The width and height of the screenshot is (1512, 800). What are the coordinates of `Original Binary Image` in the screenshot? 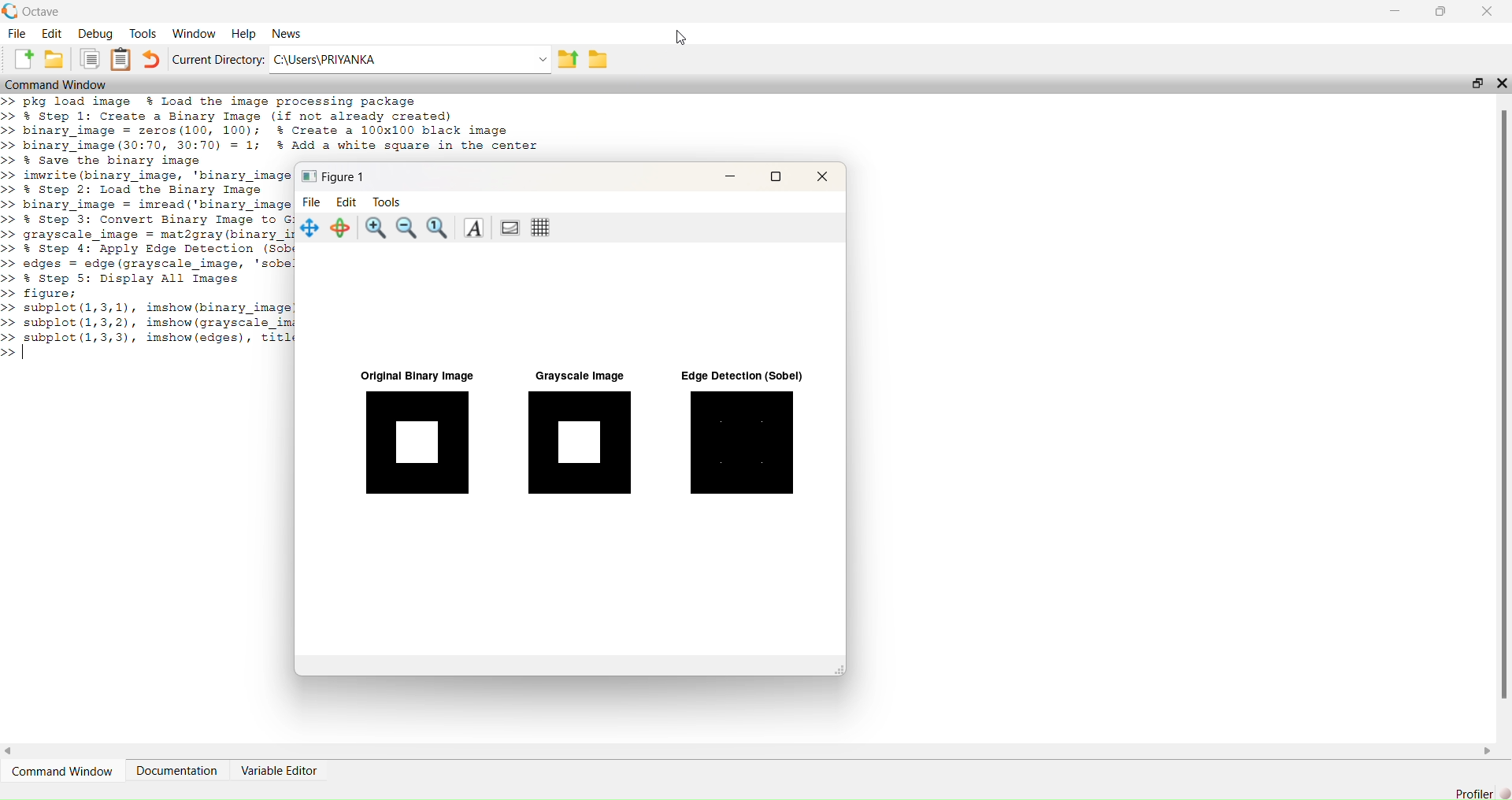 It's located at (418, 443).